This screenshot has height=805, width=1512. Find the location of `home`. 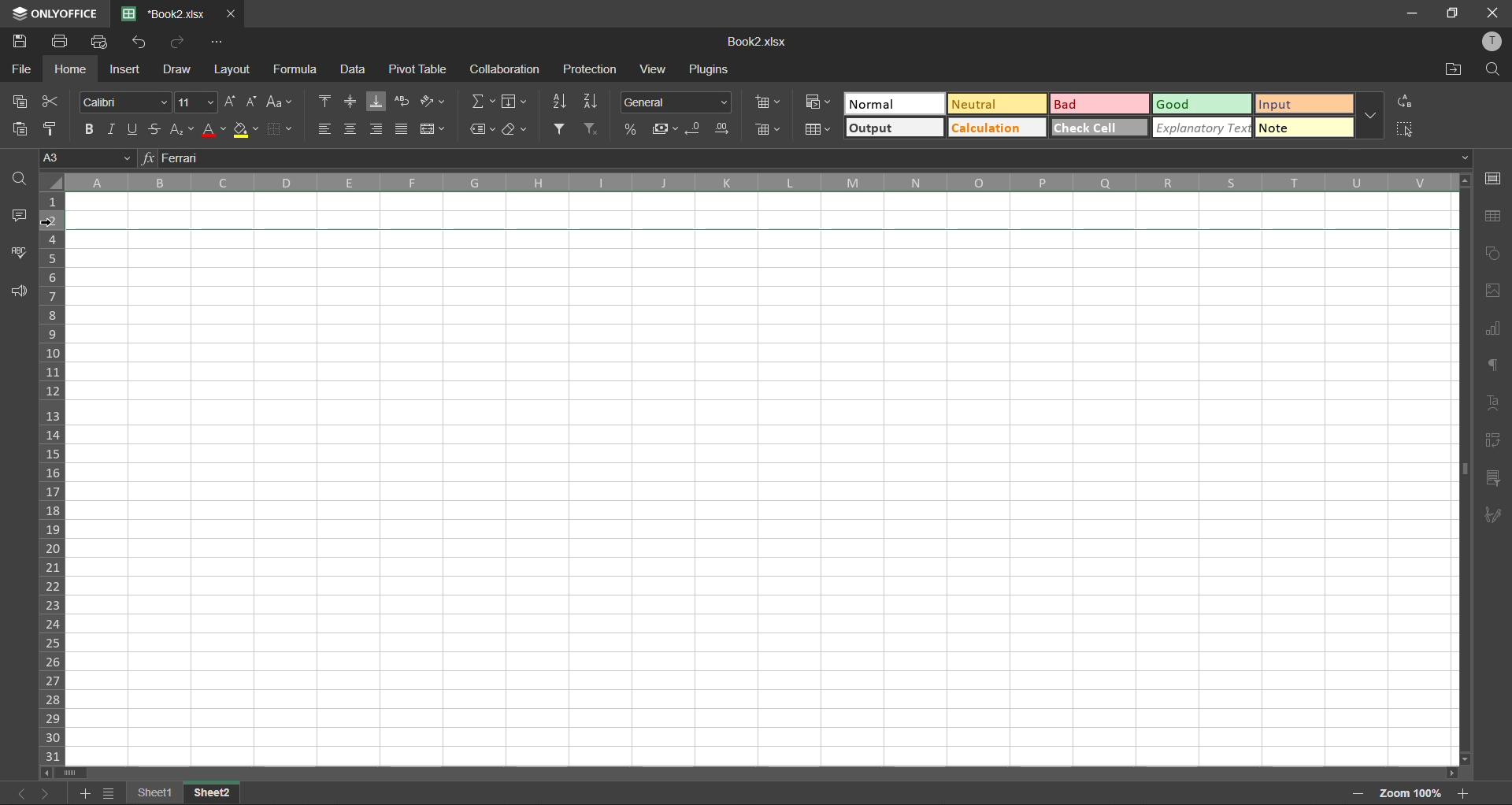

home is located at coordinates (72, 69).